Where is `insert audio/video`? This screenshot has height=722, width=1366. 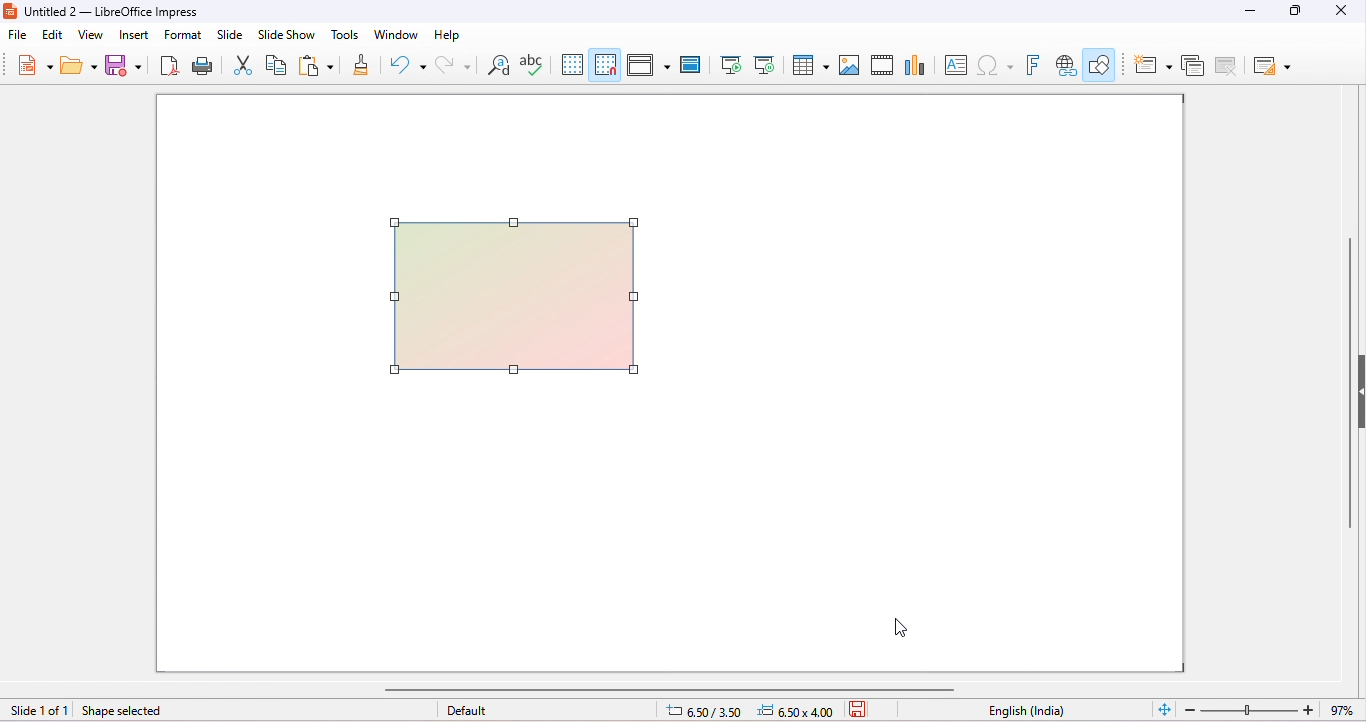 insert audio/video is located at coordinates (882, 65).